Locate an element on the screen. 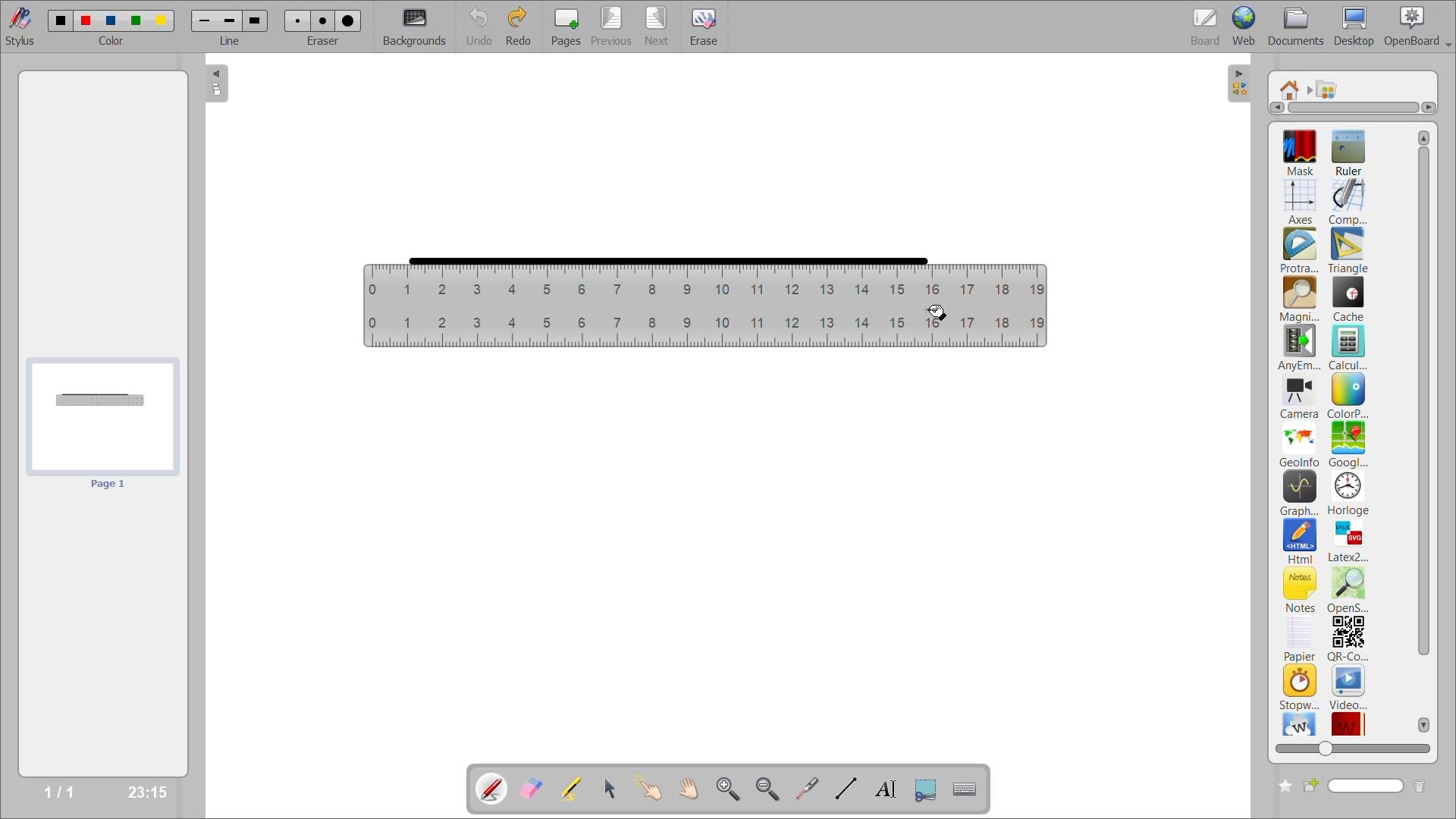 This screenshot has width=1456, height=819. name box is located at coordinates (1354, 786).